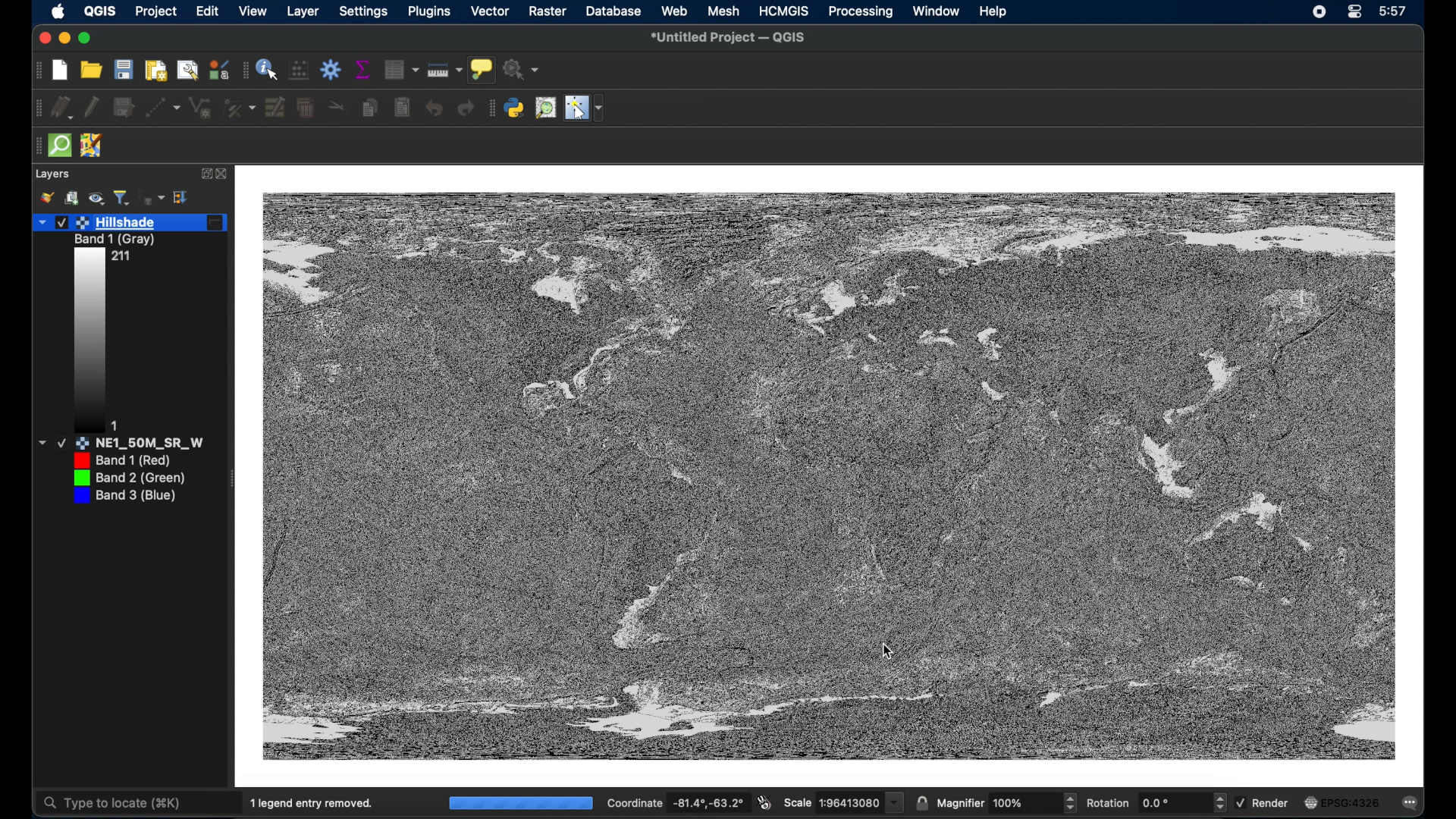  Describe the element at coordinates (46, 199) in the screenshot. I see `styling panel` at that location.